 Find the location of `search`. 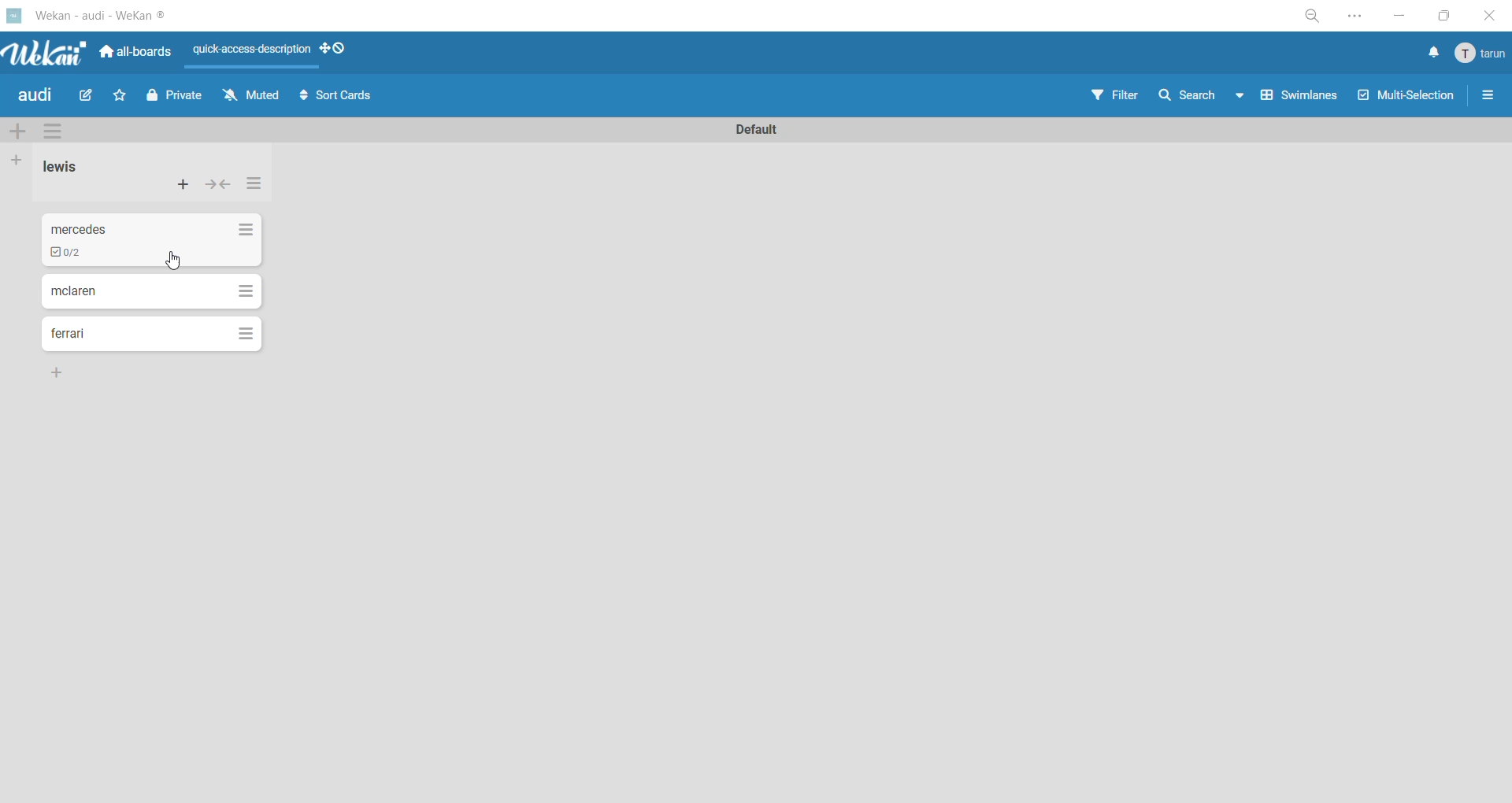

search is located at coordinates (1199, 98).